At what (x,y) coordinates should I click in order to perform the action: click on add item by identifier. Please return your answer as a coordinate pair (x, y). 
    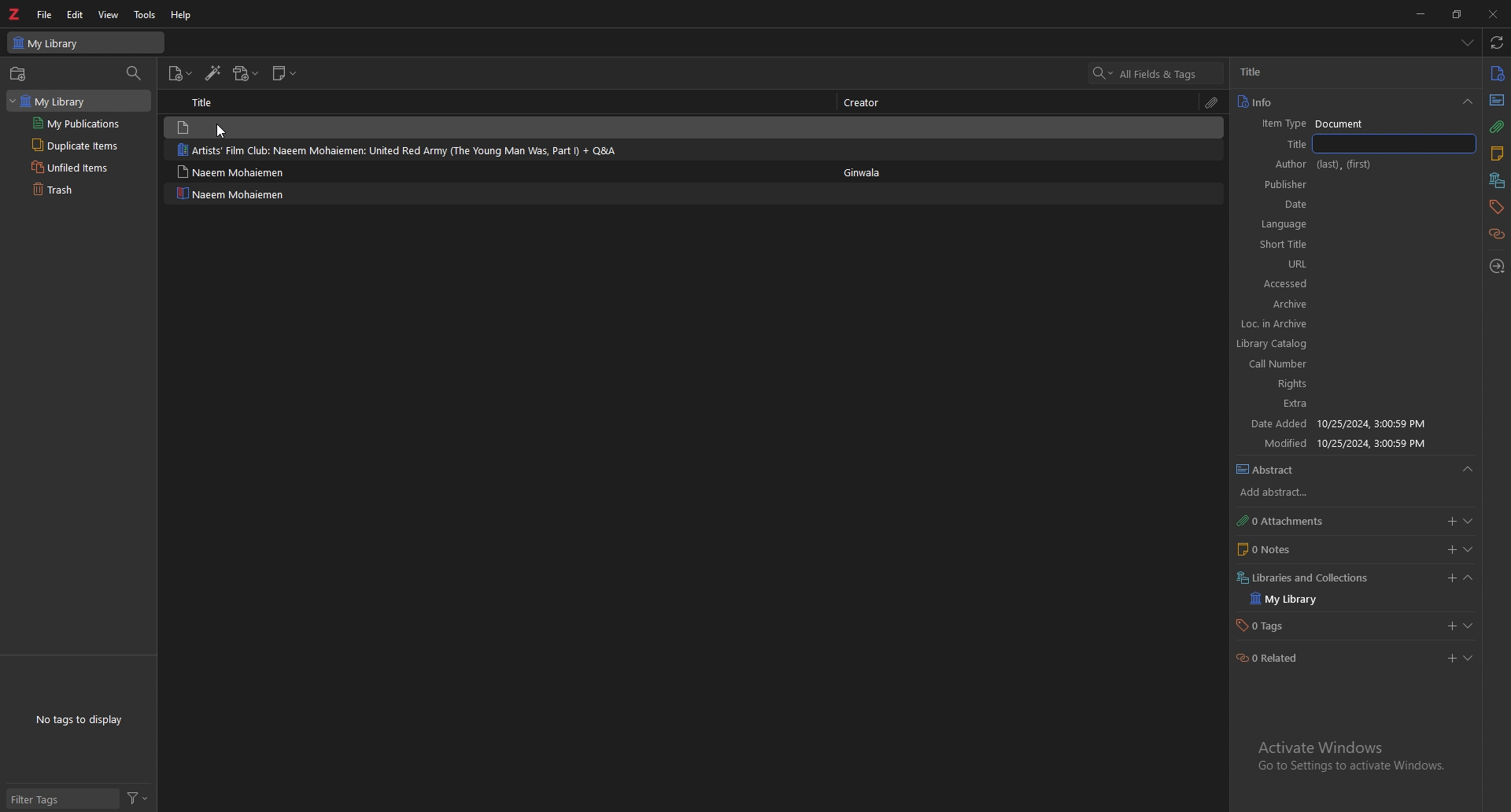
    Looking at the image, I should click on (214, 74).